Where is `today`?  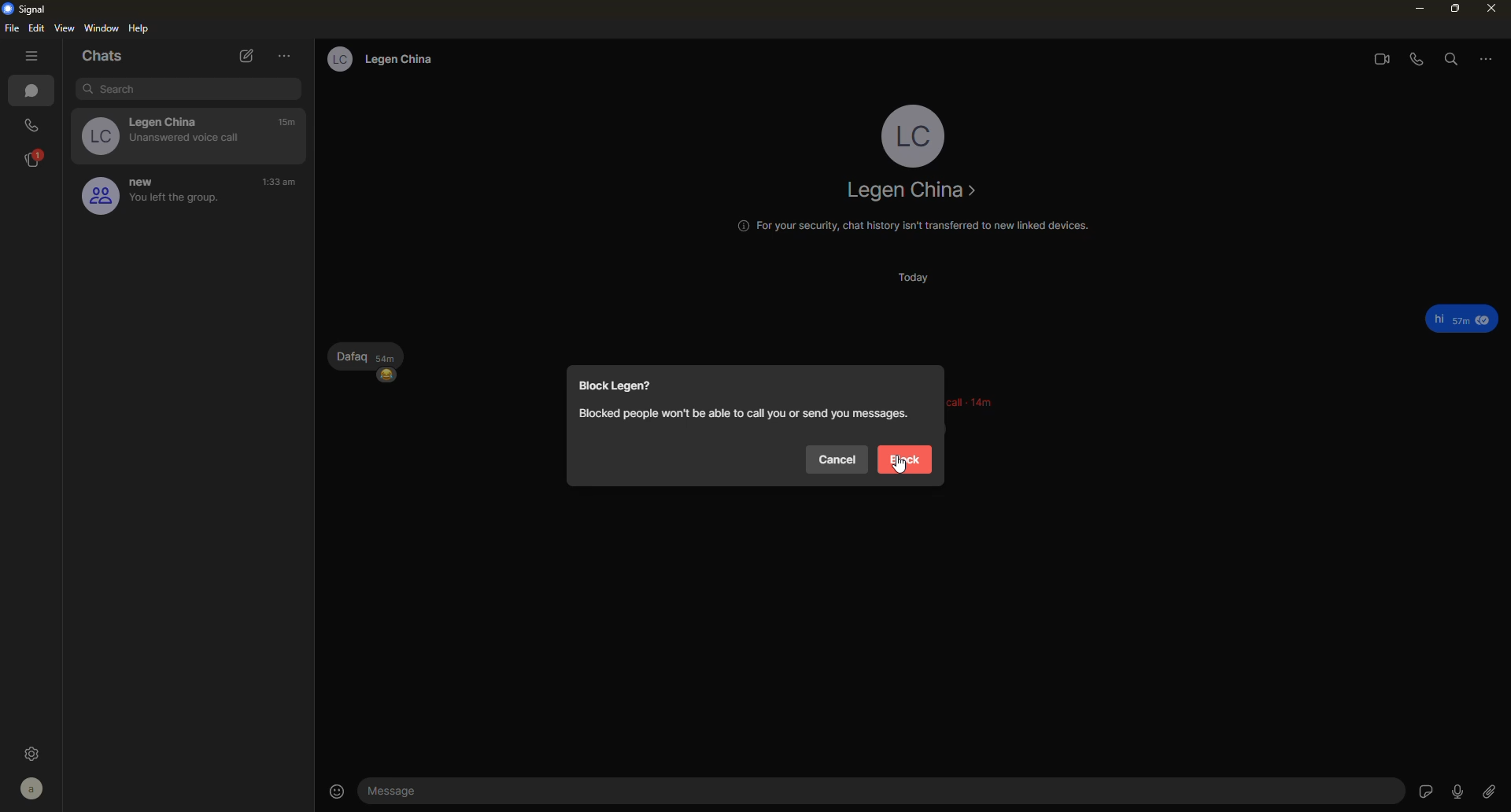 today is located at coordinates (922, 281).